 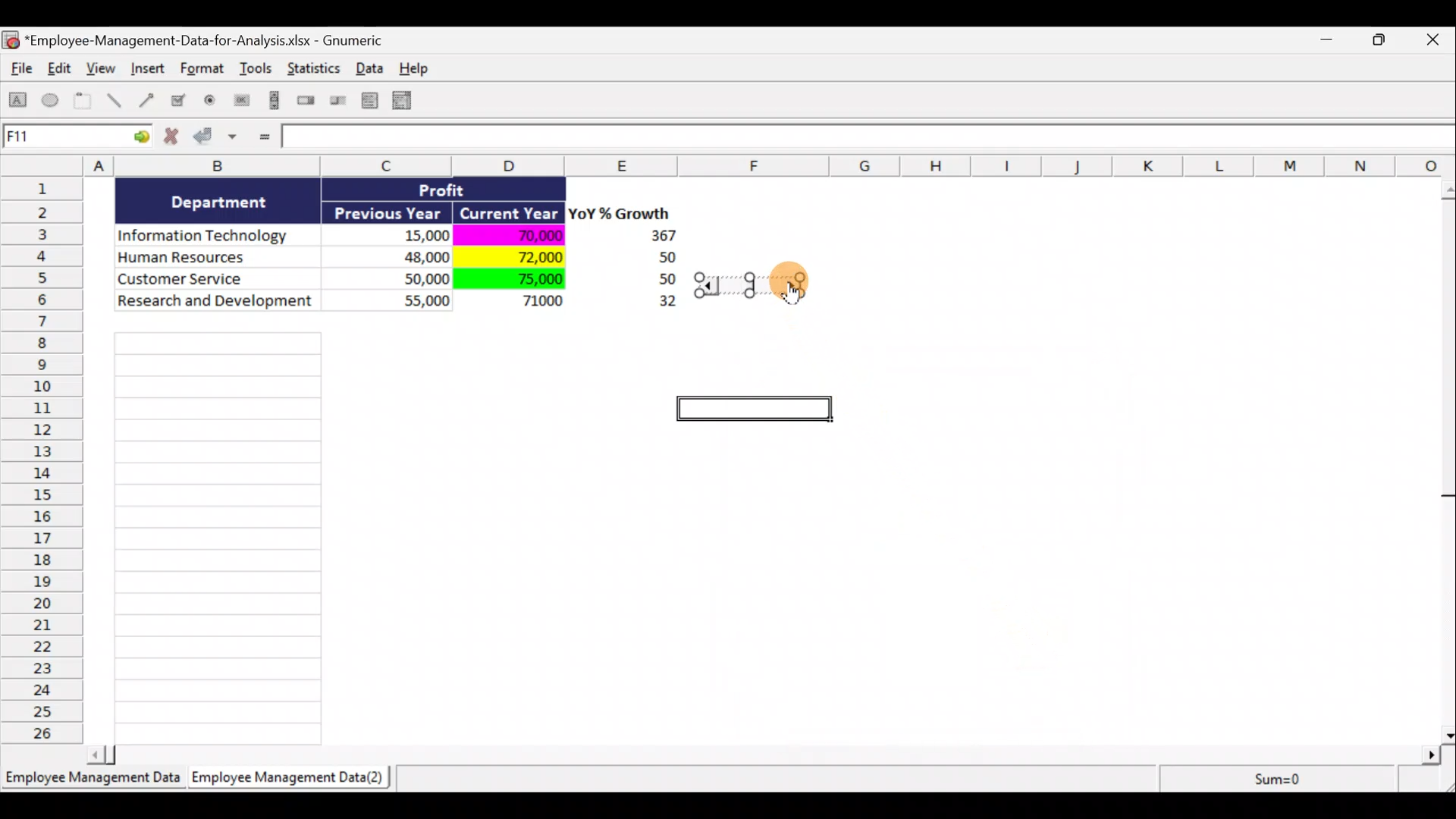 What do you see at coordinates (218, 534) in the screenshot?
I see `Cells` at bounding box center [218, 534].